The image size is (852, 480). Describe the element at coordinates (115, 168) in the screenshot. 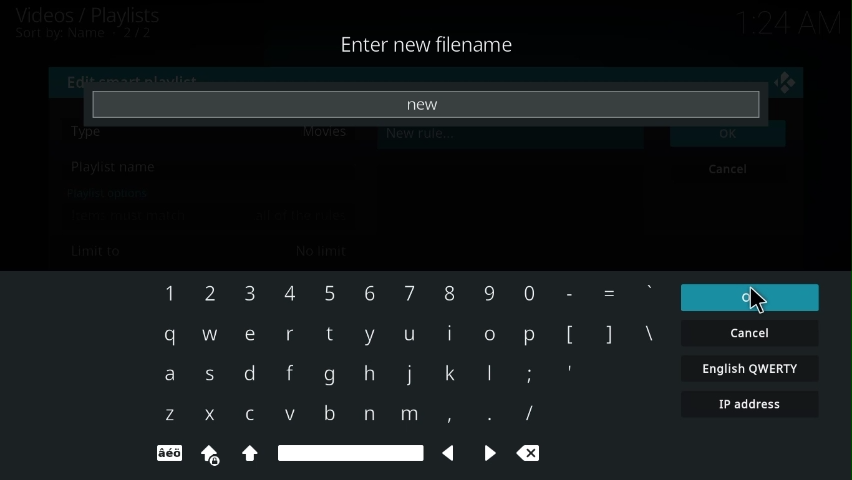

I see `playlist name` at that location.